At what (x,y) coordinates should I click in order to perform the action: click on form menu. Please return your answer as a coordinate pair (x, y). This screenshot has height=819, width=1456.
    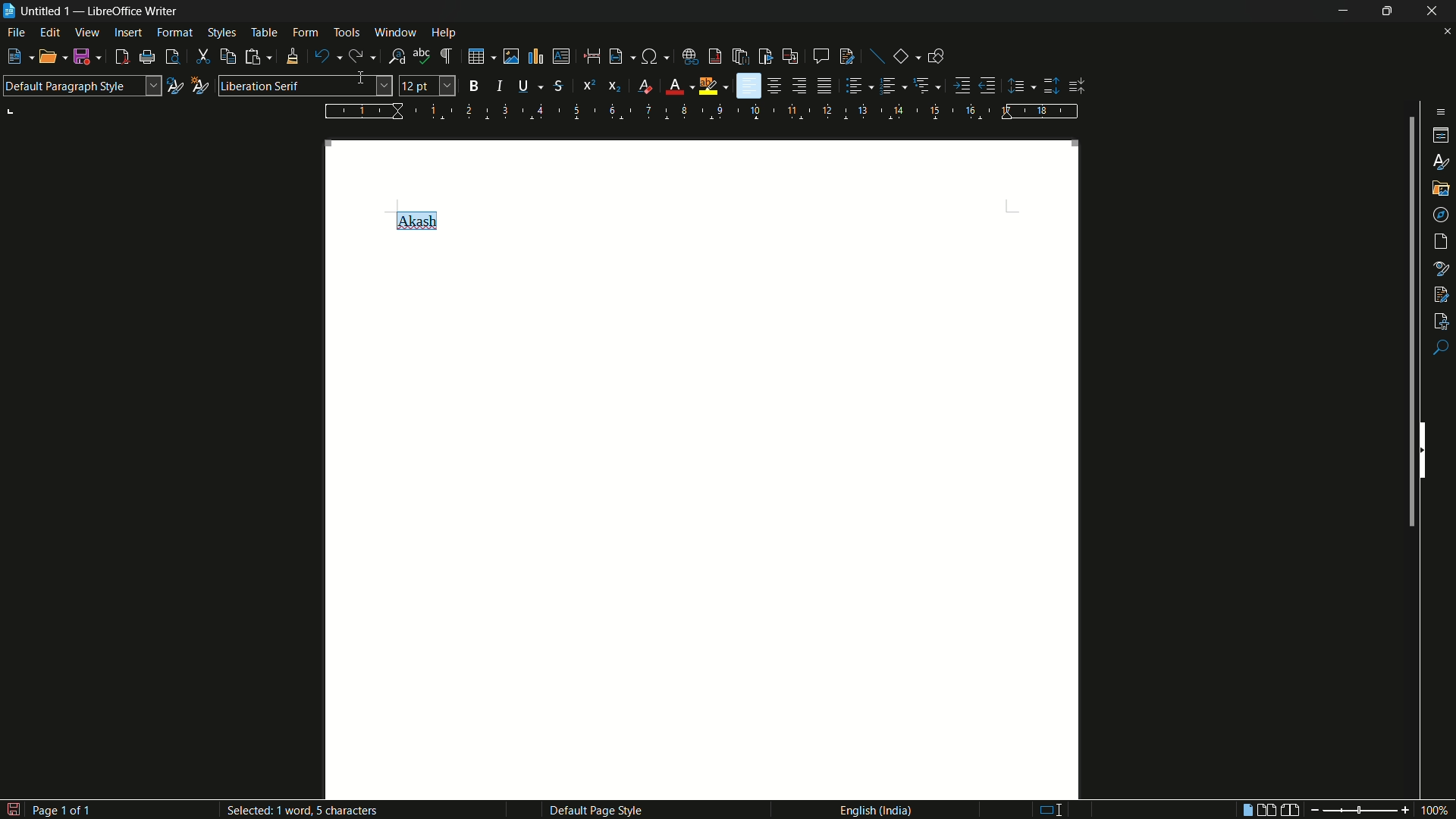
    Looking at the image, I should click on (305, 32).